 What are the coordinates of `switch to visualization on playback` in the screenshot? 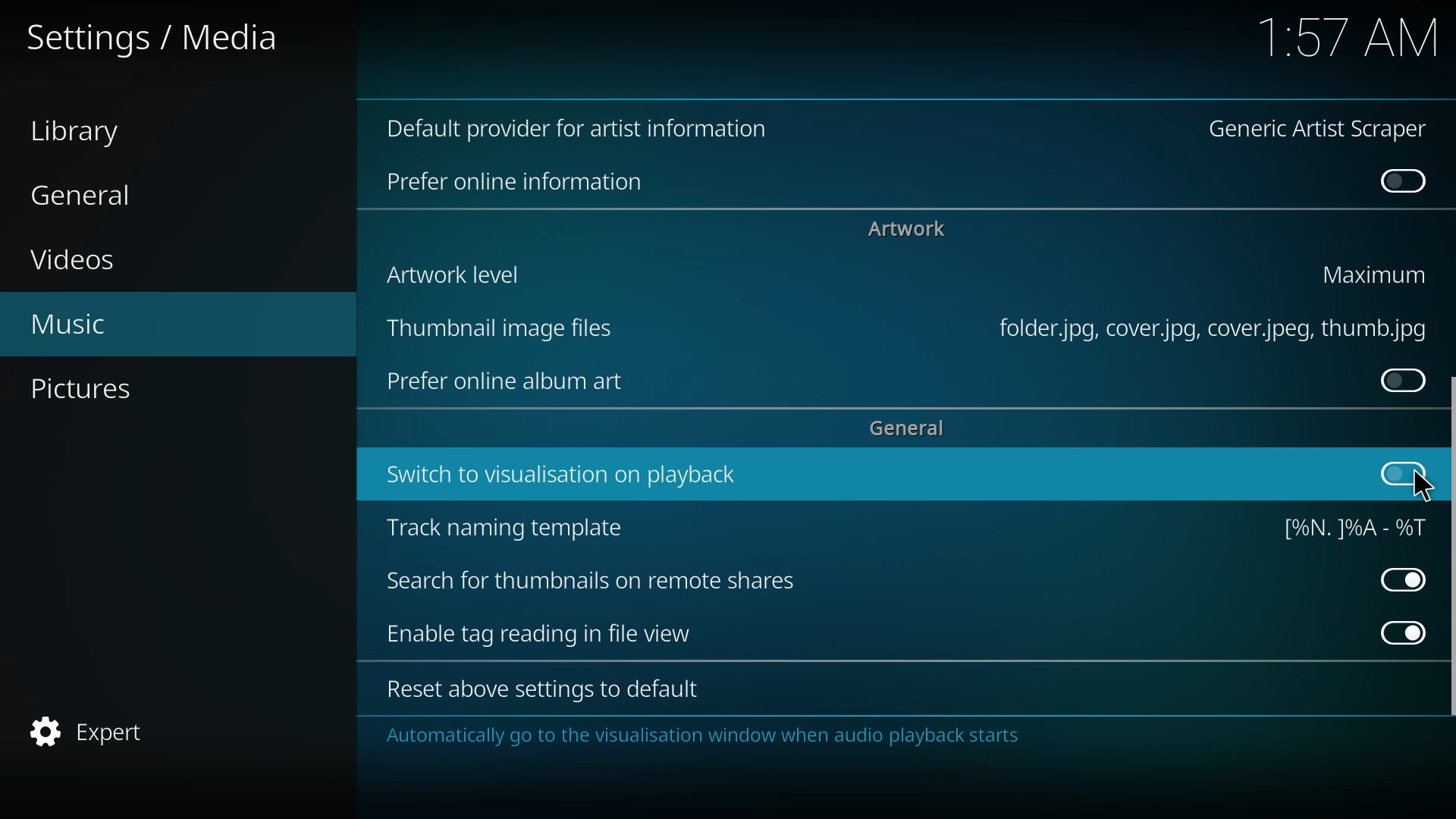 It's located at (557, 475).